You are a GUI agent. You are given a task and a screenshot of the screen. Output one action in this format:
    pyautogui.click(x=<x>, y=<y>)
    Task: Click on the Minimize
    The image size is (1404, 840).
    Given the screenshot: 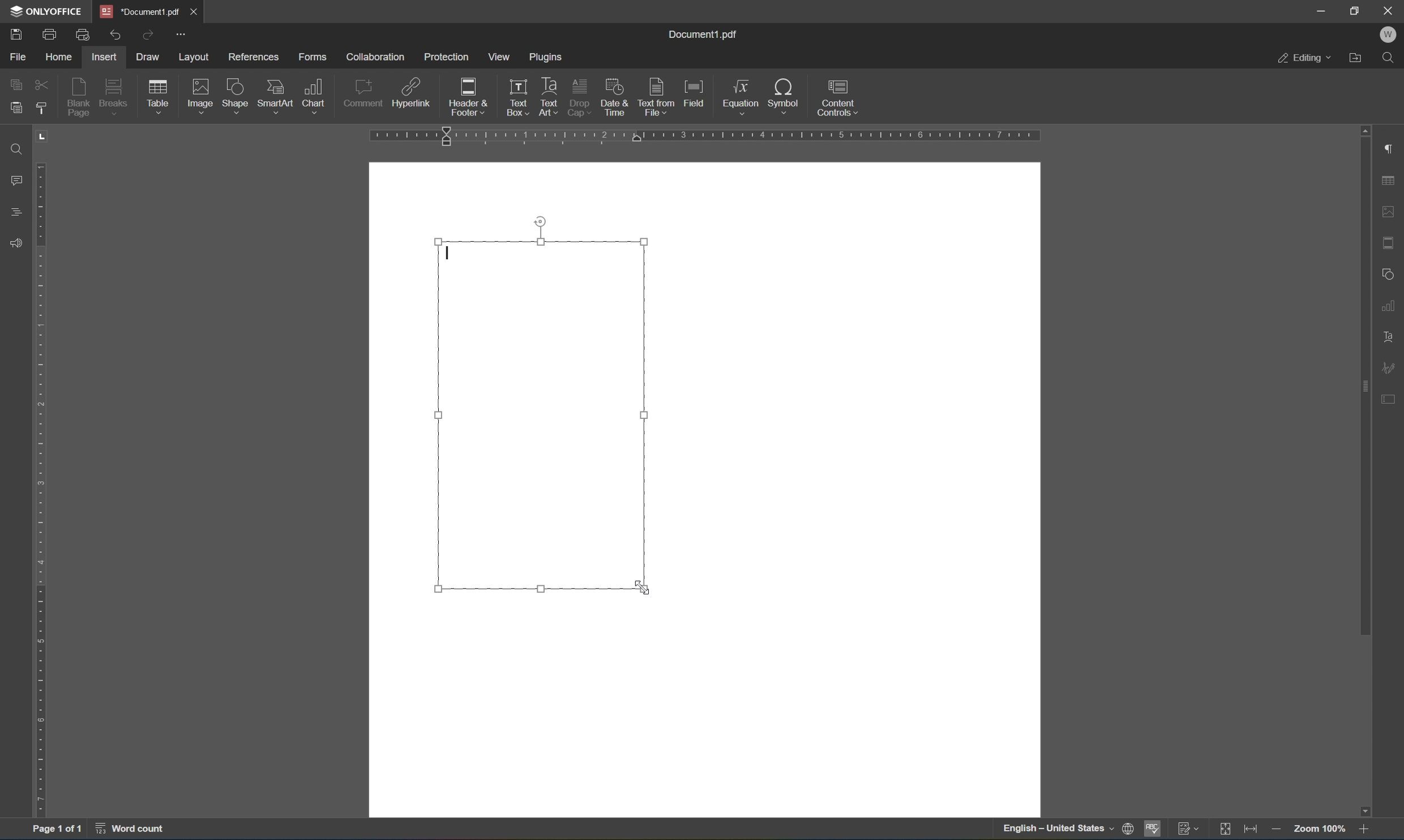 What is the action you would take?
    pyautogui.click(x=1321, y=11)
    